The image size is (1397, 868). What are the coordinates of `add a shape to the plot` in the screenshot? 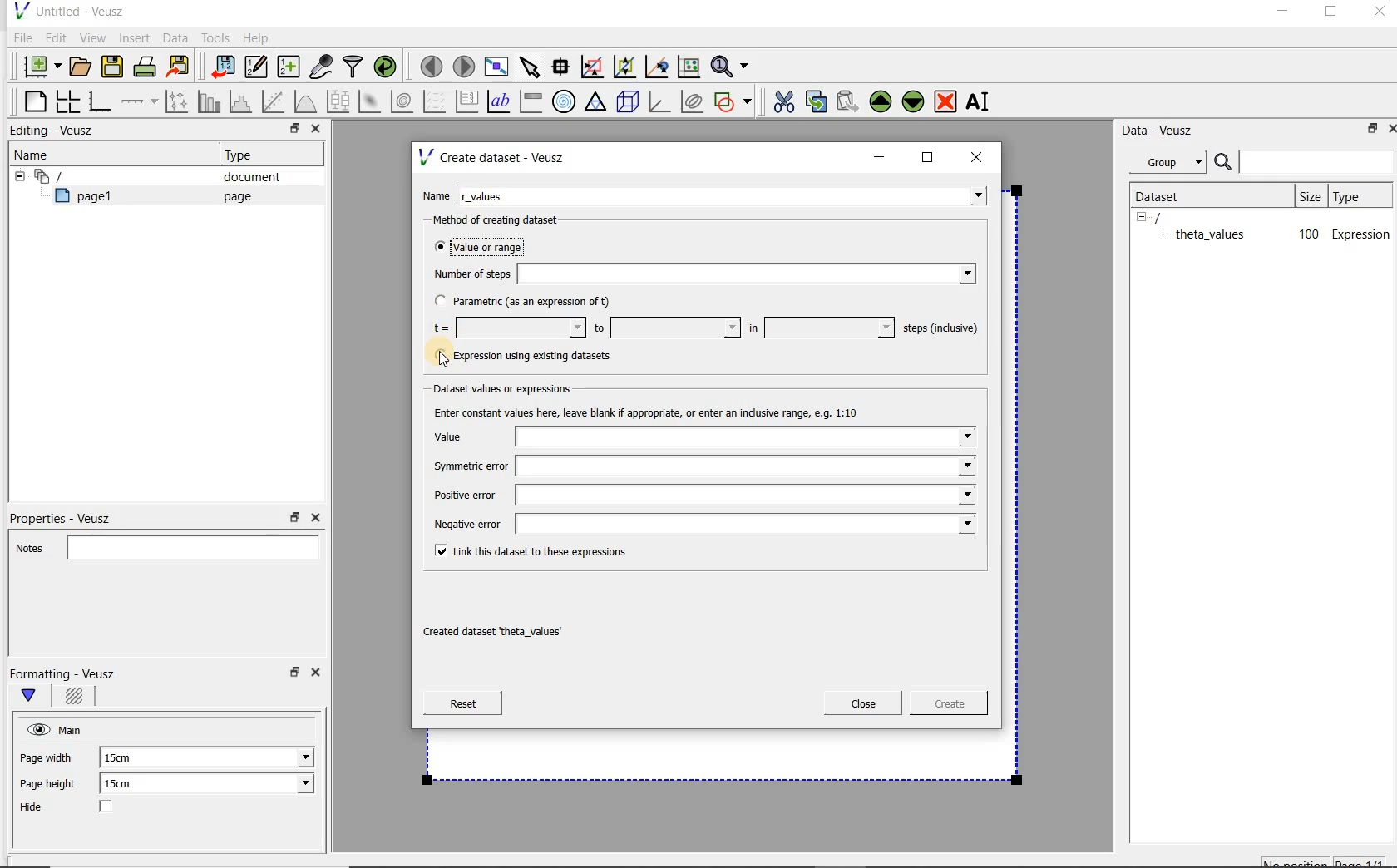 It's located at (734, 100).